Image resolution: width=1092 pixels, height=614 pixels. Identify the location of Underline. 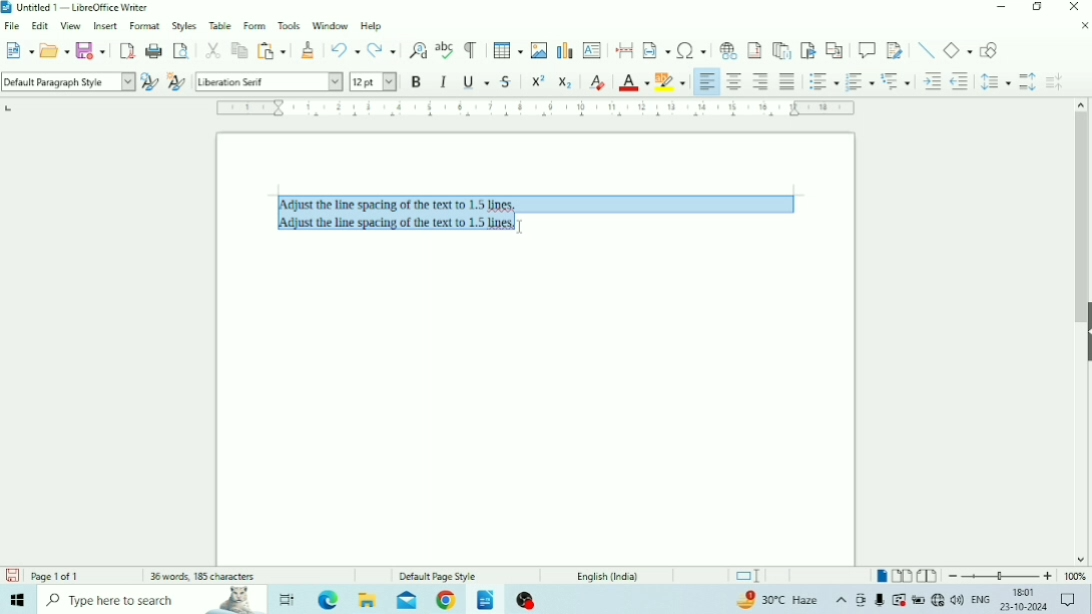
(475, 81).